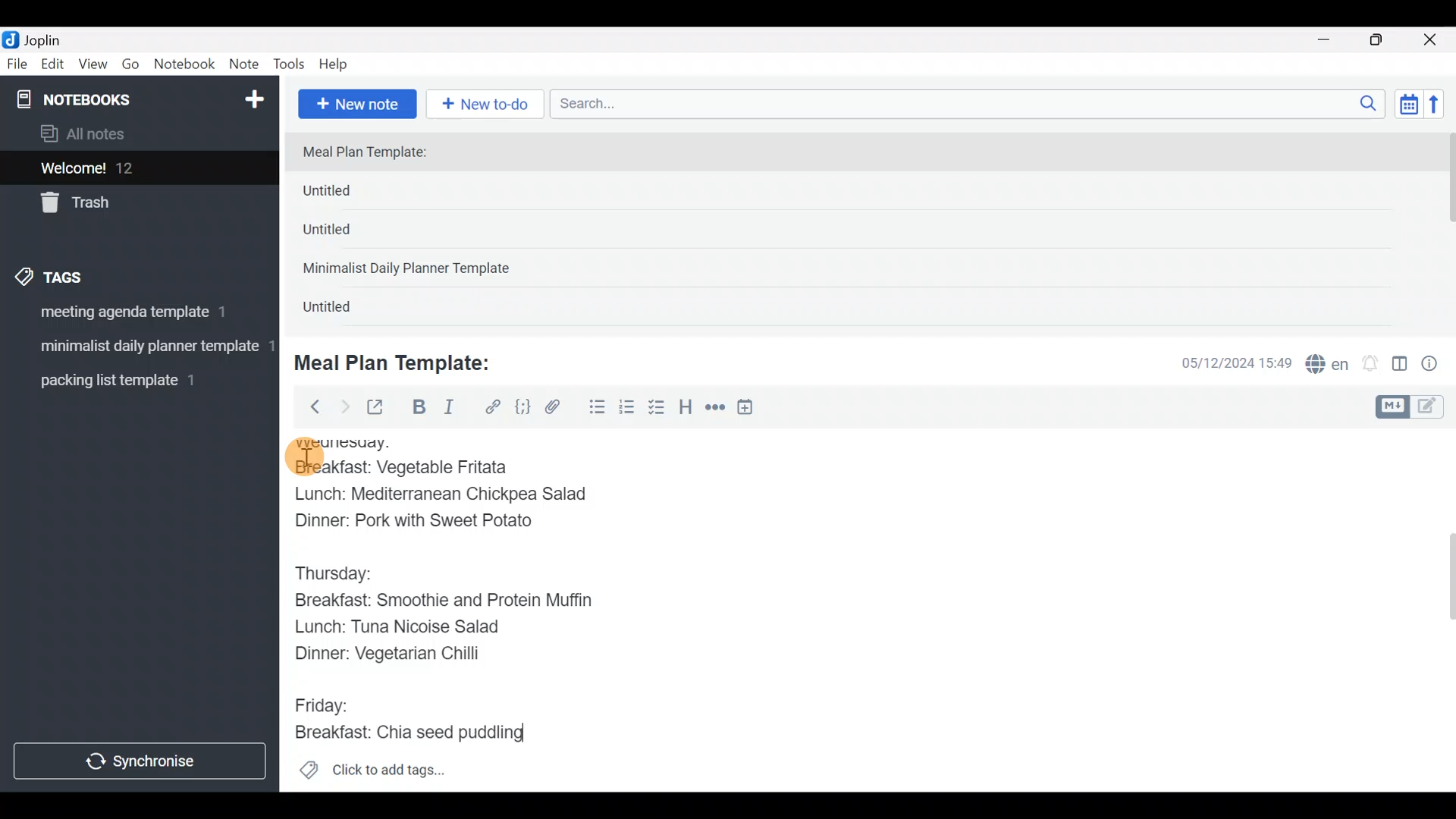 The width and height of the screenshot is (1456, 819). I want to click on Breakfast: Vegetable Fritata, so click(419, 468).